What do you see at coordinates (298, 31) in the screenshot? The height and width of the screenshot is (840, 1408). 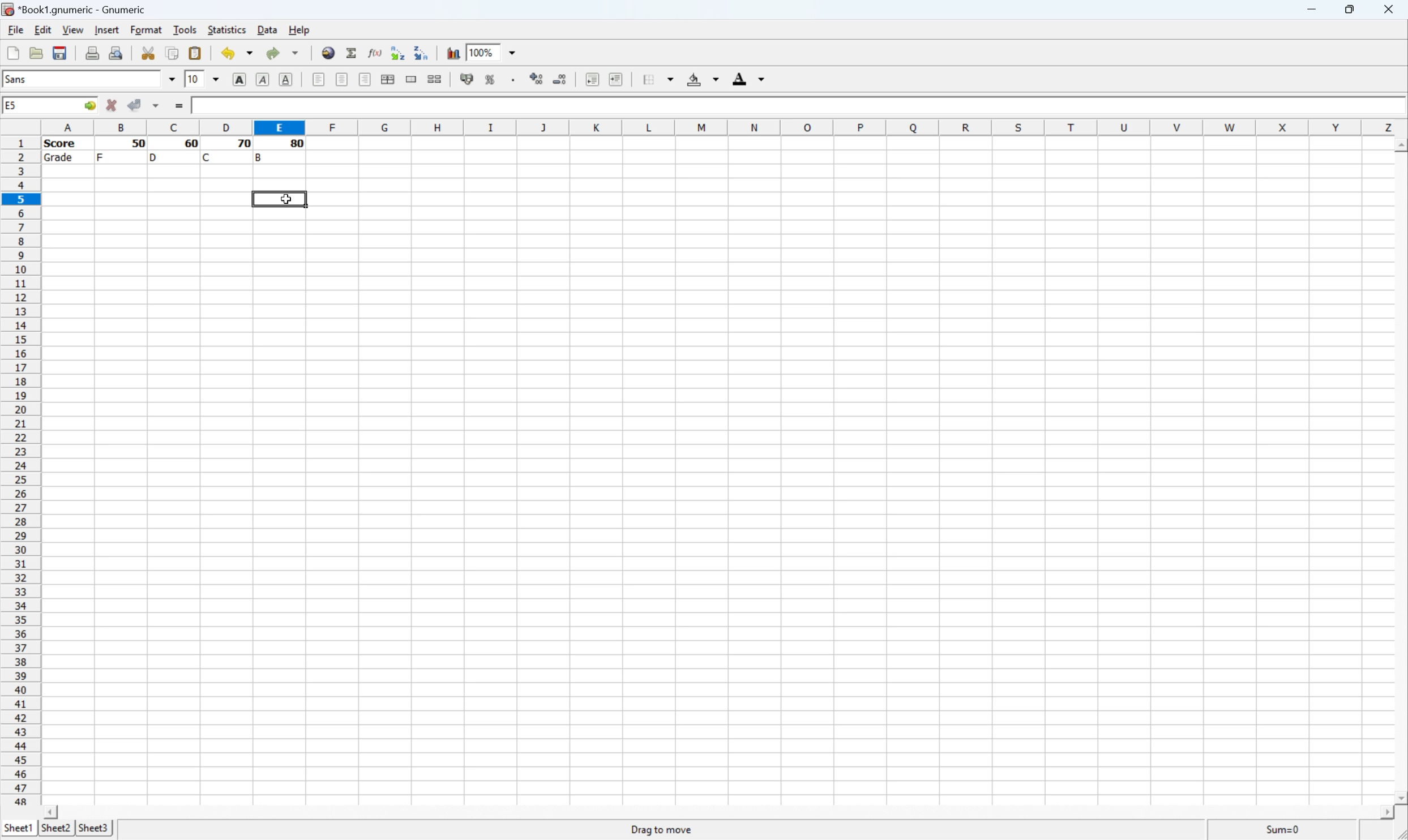 I see `Help` at bounding box center [298, 31].